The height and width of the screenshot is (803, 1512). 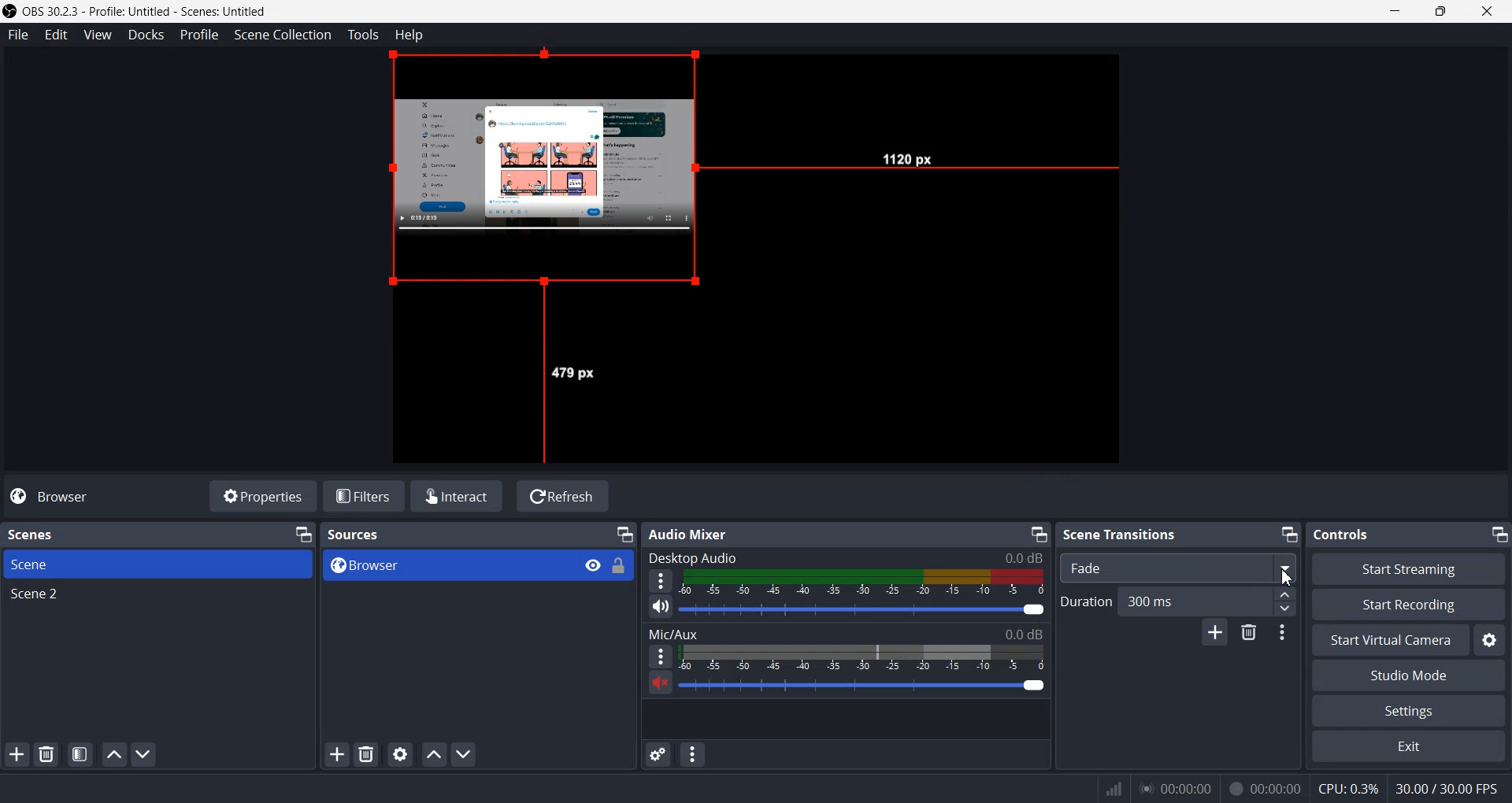 What do you see at coordinates (303, 534) in the screenshot?
I see `Minimize` at bounding box center [303, 534].